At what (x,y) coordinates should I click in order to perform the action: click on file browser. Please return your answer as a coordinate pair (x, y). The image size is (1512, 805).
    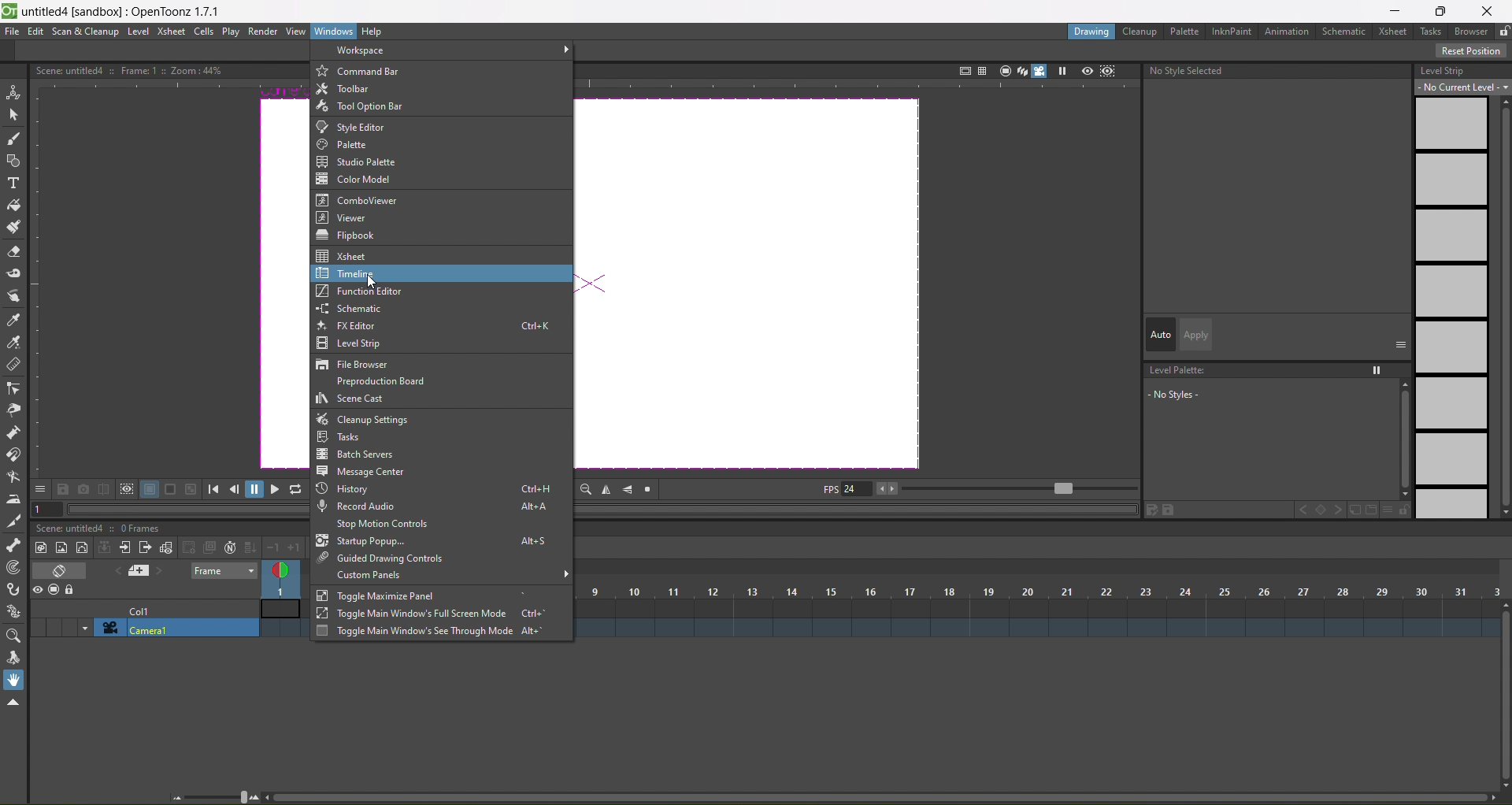
    Looking at the image, I should click on (354, 365).